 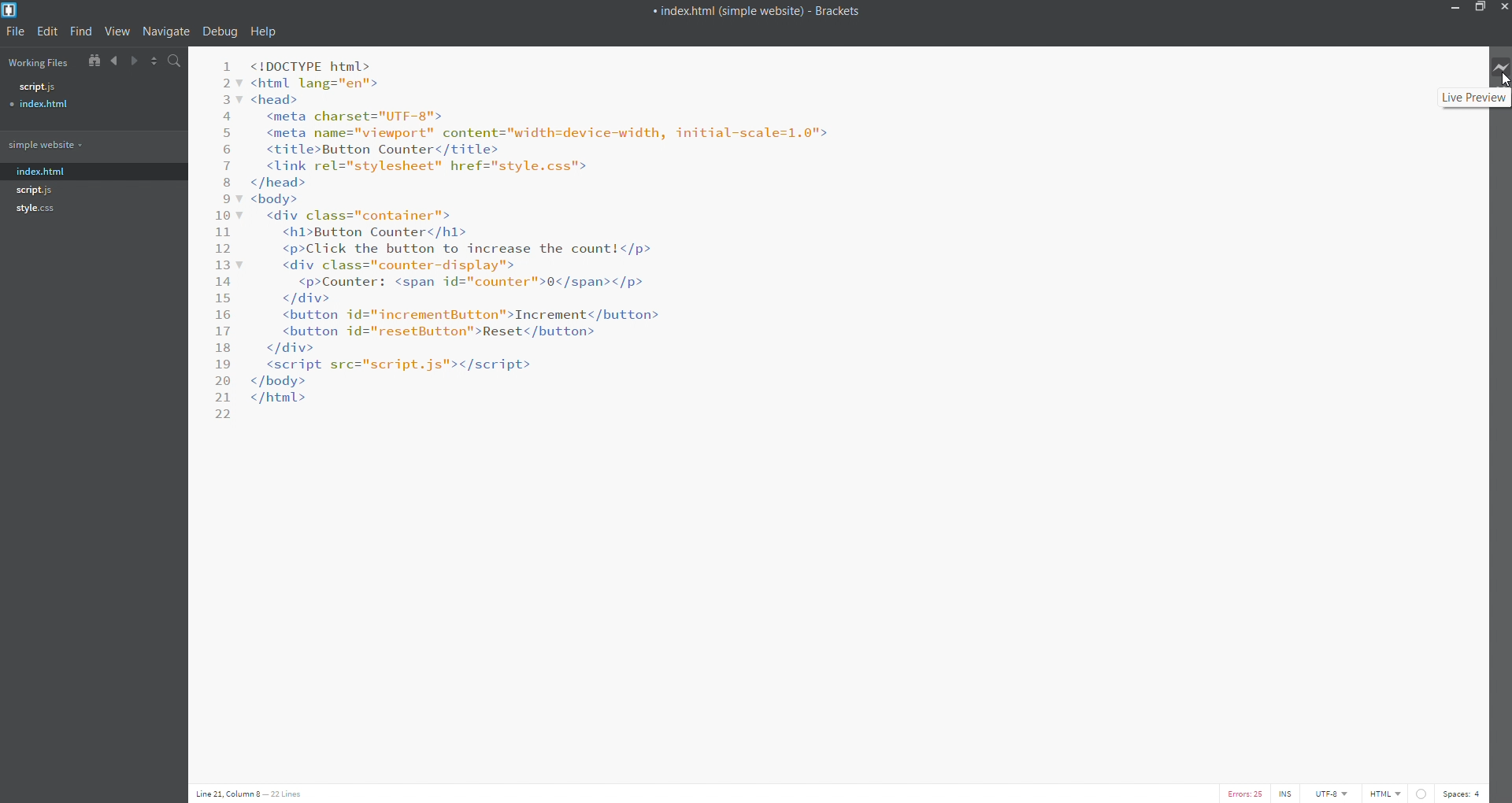 What do you see at coordinates (91, 61) in the screenshot?
I see `create file tree` at bounding box center [91, 61].